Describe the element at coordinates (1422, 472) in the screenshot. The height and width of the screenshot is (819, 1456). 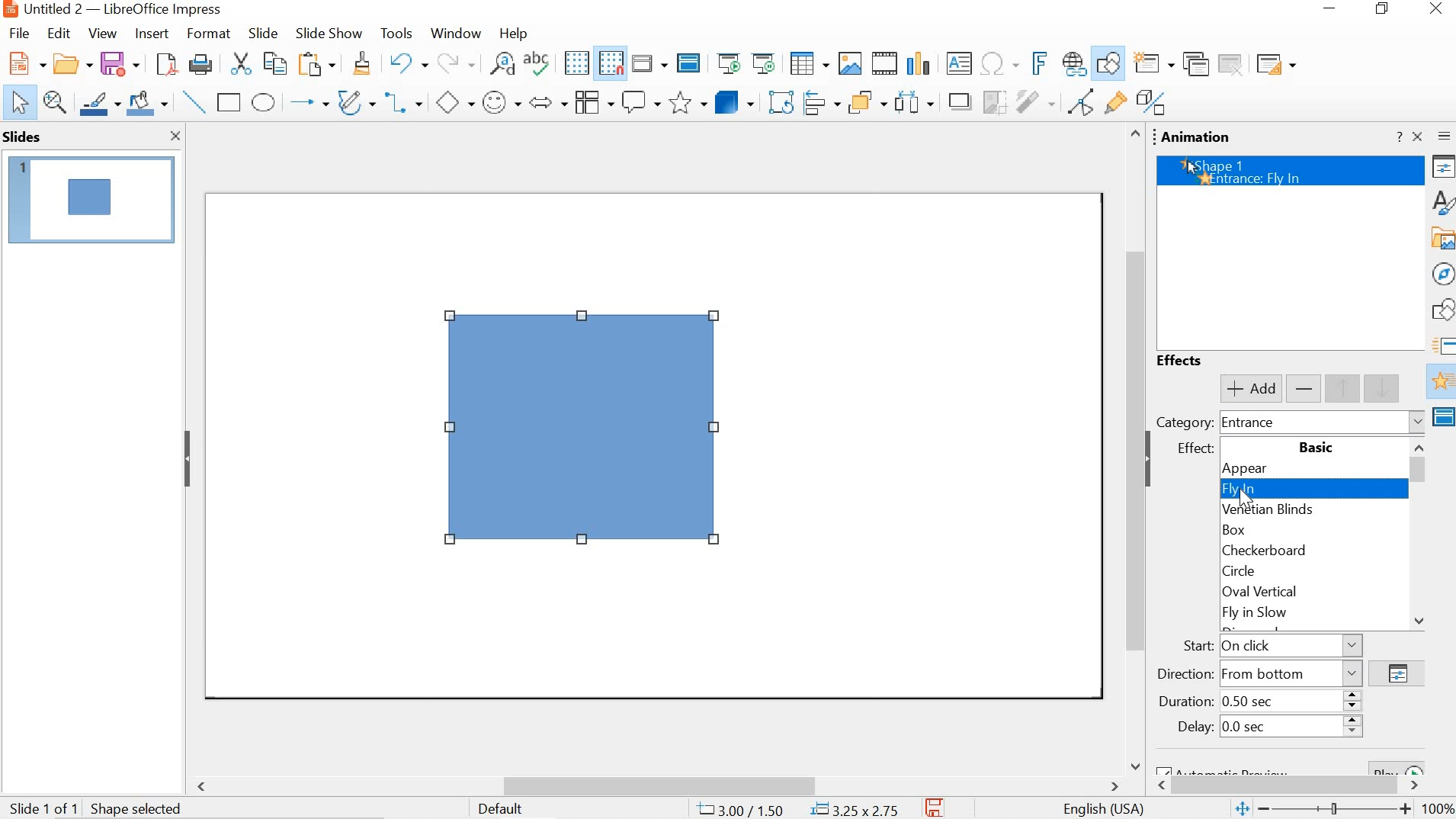
I see `Scrollbar` at that location.